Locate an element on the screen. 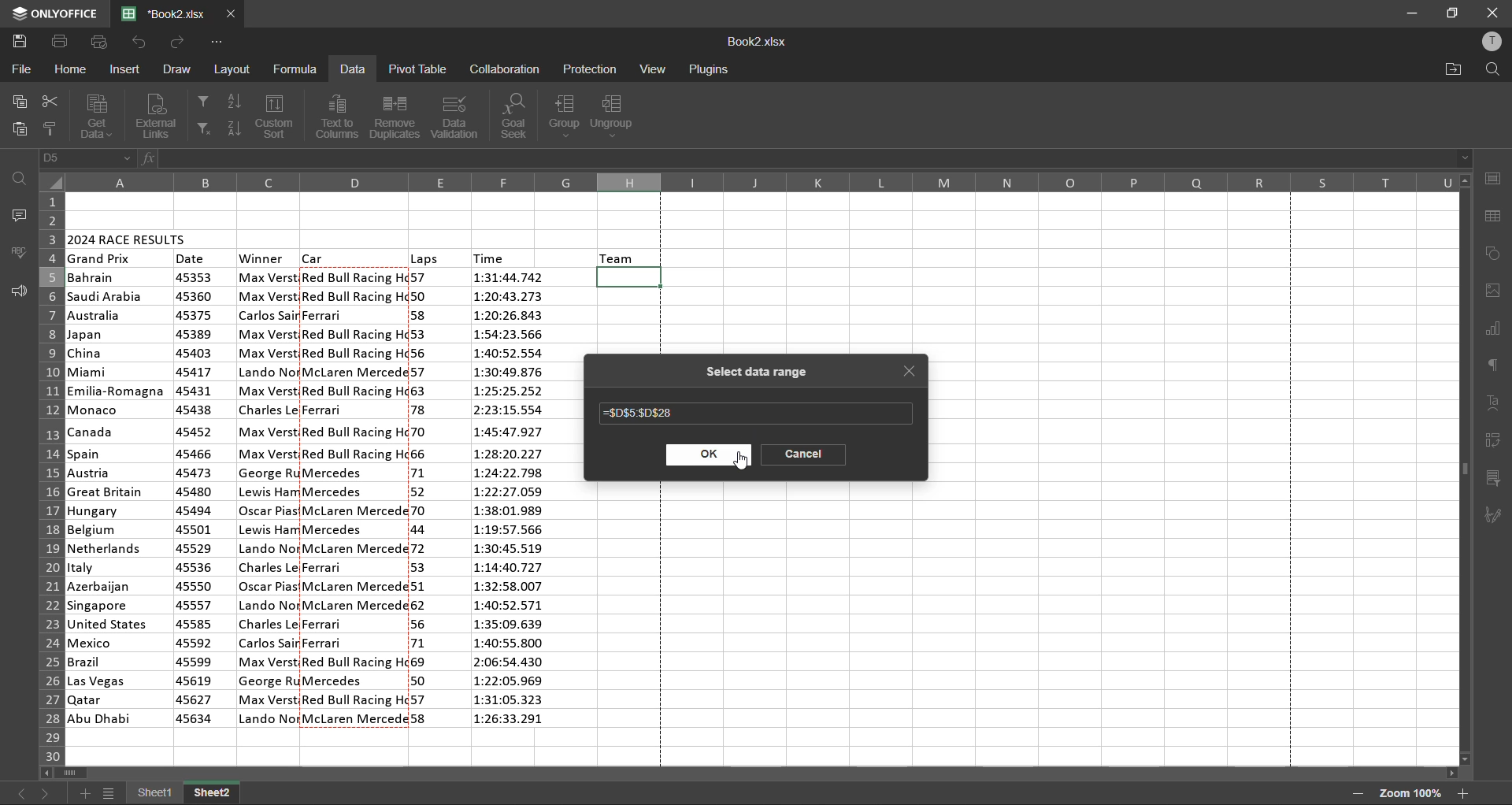 The width and height of the screenshot is (1512, 805). close is located at coordinates (1491, 12).